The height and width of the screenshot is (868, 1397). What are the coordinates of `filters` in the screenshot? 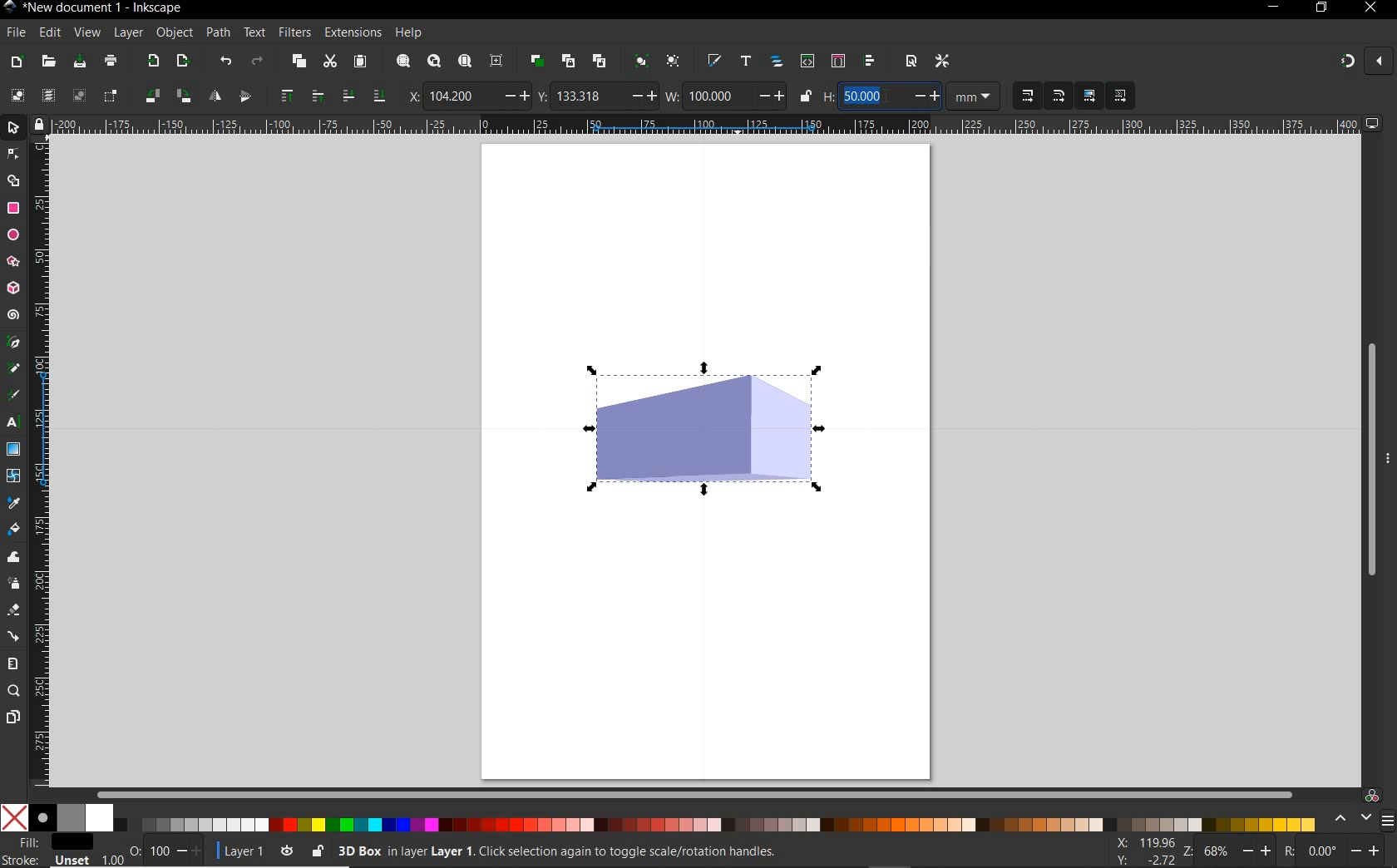 It's located at (296, 32).